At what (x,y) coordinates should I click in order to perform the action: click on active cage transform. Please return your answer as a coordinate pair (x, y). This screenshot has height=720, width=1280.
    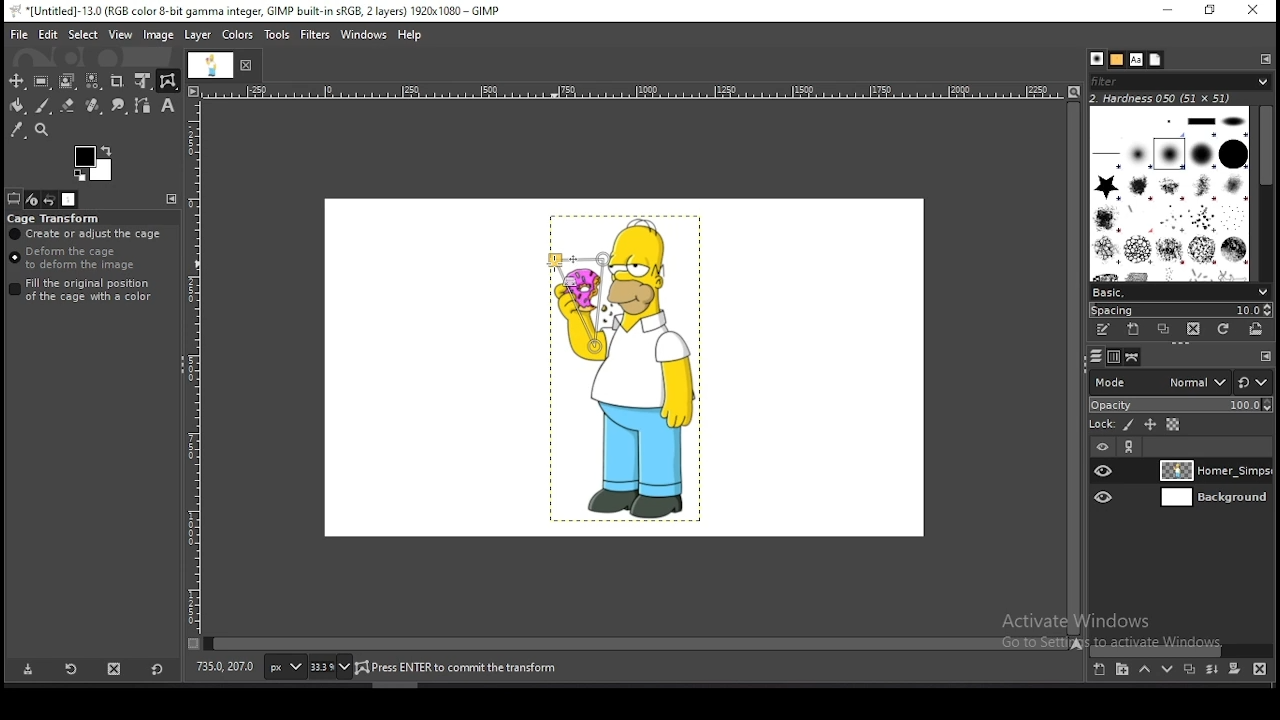
    Looking at the image, I should click on (580, 303).